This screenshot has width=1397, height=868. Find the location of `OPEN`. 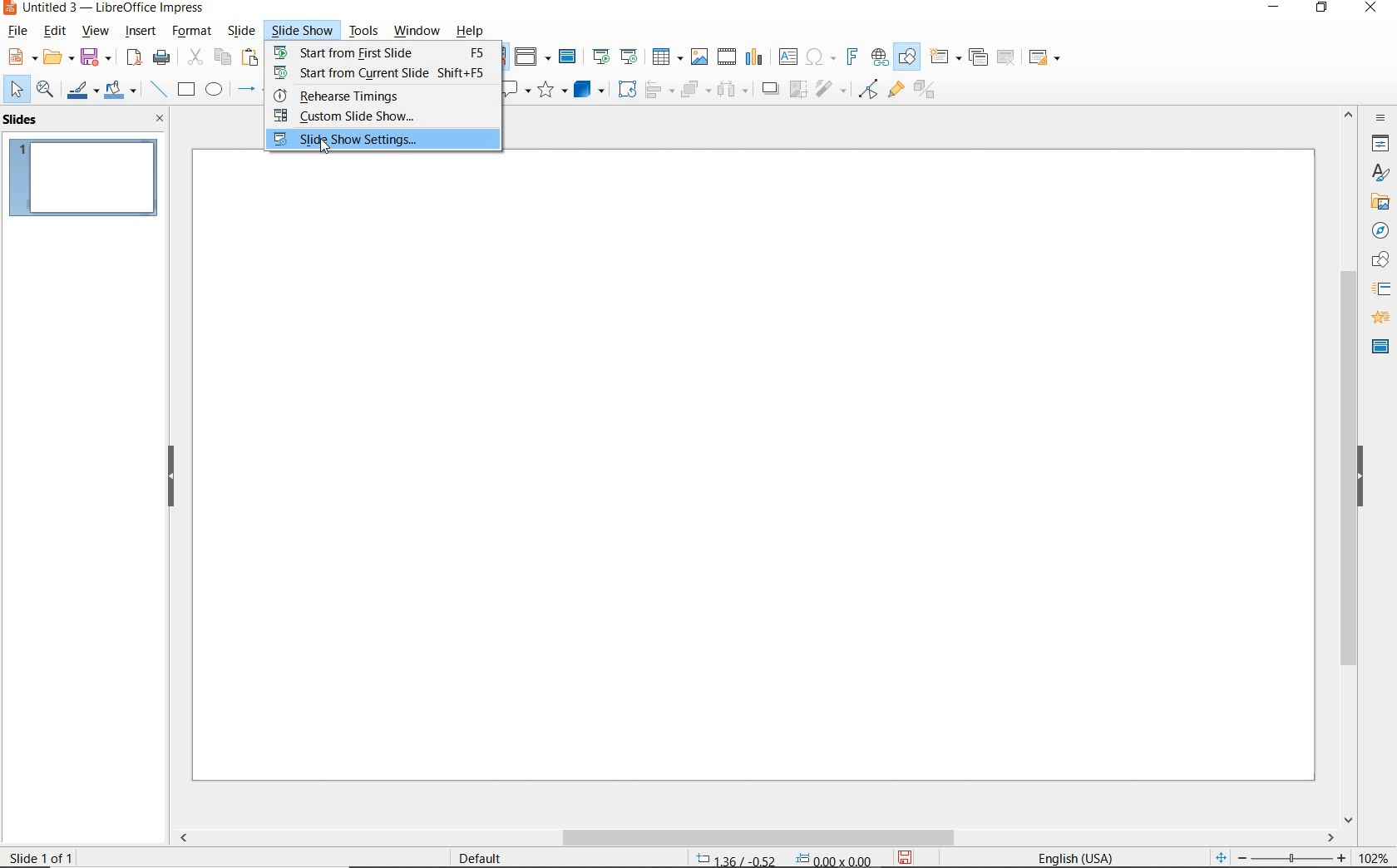

OPEN is located at coordinates (57, 57).